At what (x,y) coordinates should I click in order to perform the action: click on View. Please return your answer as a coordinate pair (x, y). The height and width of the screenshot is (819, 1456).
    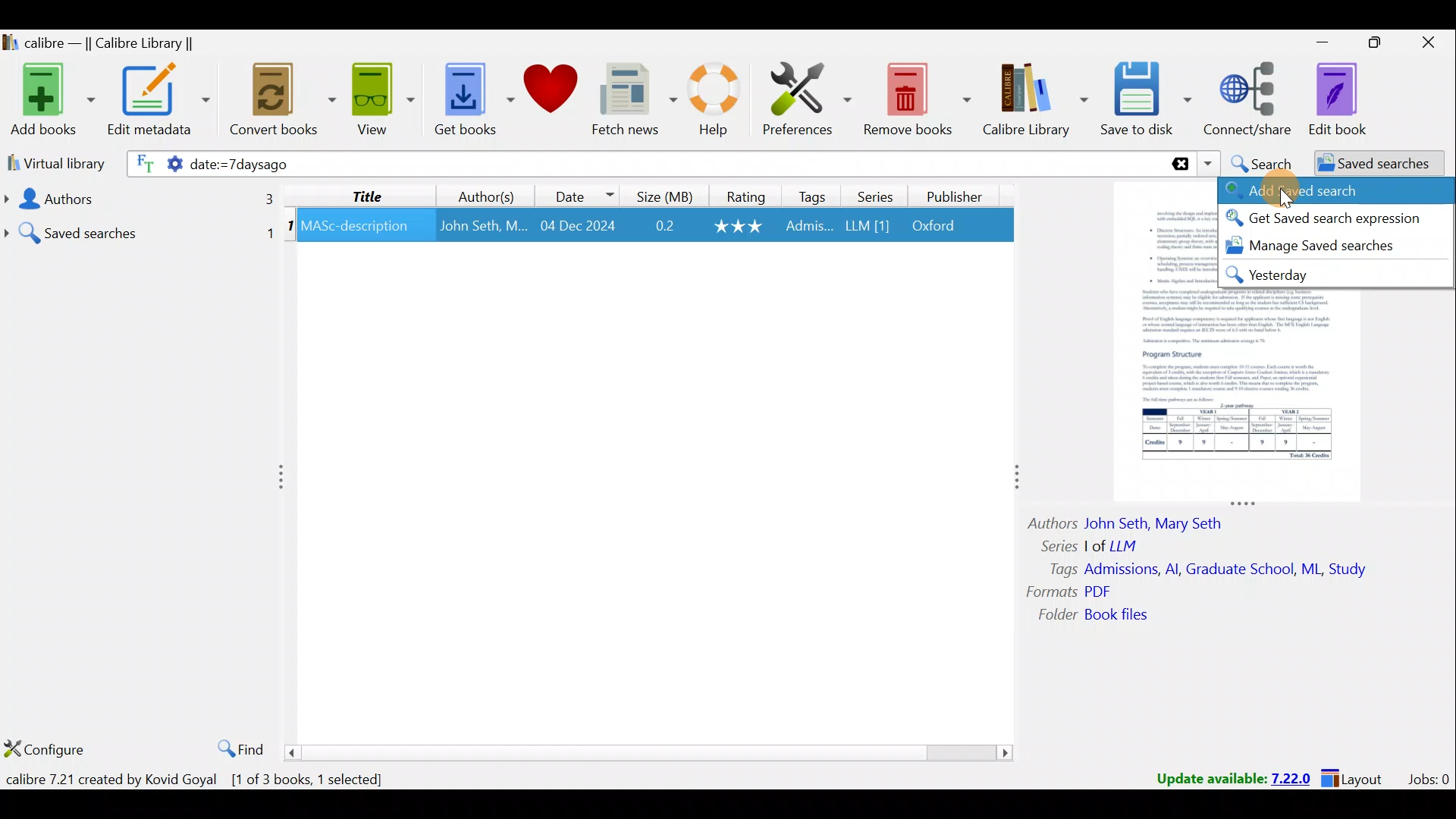
    Looking at the image, I should click on (379, 101).